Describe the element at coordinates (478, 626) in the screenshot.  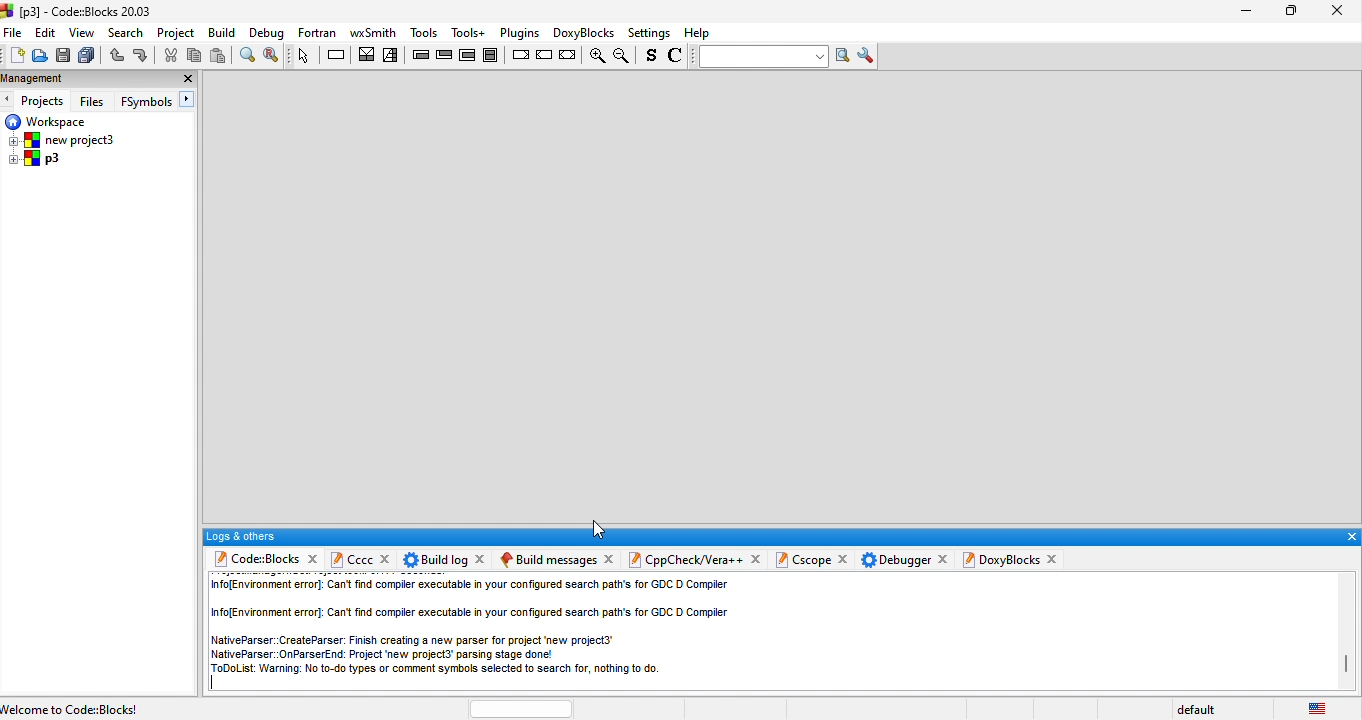
I see `InfofEnvironment error): Can't find compiler executable in your configured search paths for GDC D CompilerInfofEnvironment error}: Can't find compder executable in your configured search path's for GOC D ComperNativeParser-CreateParser Finish creating a new parser for project new profcty”NativeParser-OnParserEnd: Project new projects parsing stage done!'ToDoList Warming: No to-do types or comment symbols selected to search for, nothing to do.` at that location.